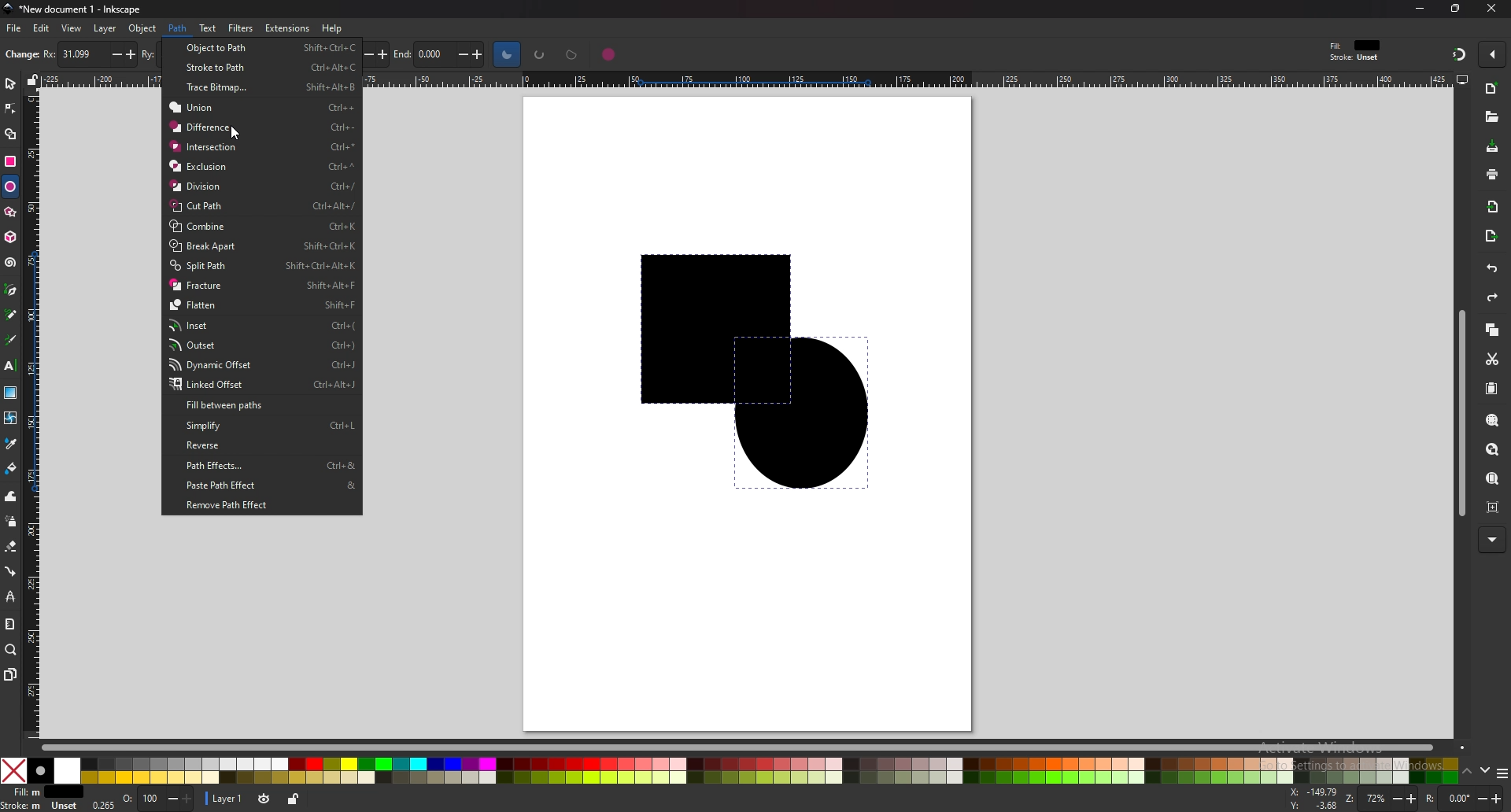  Describe the element at coordinates (1491, 116) in the screenshot. I see `open` at that location.